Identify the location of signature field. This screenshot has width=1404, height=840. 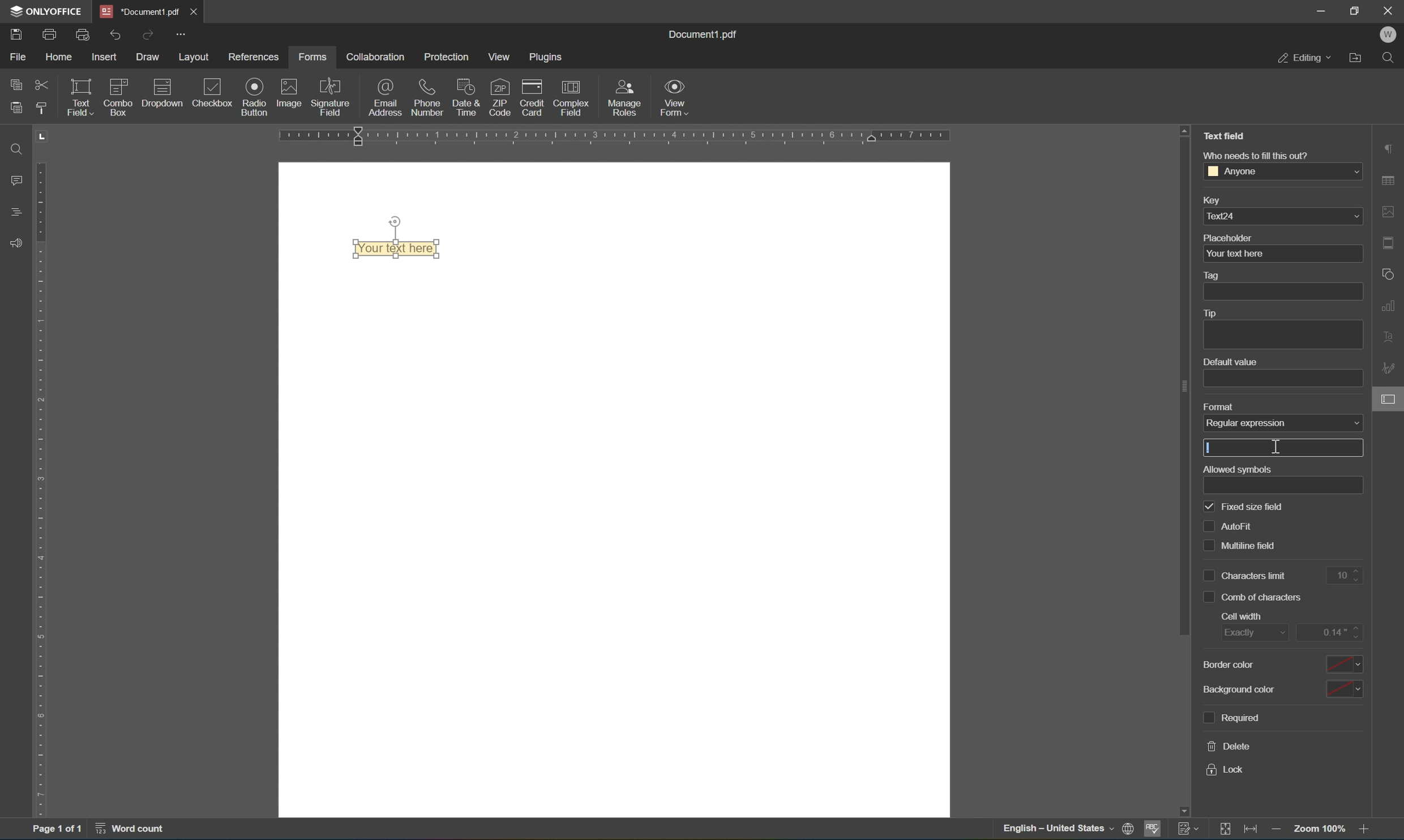
(331, 97).